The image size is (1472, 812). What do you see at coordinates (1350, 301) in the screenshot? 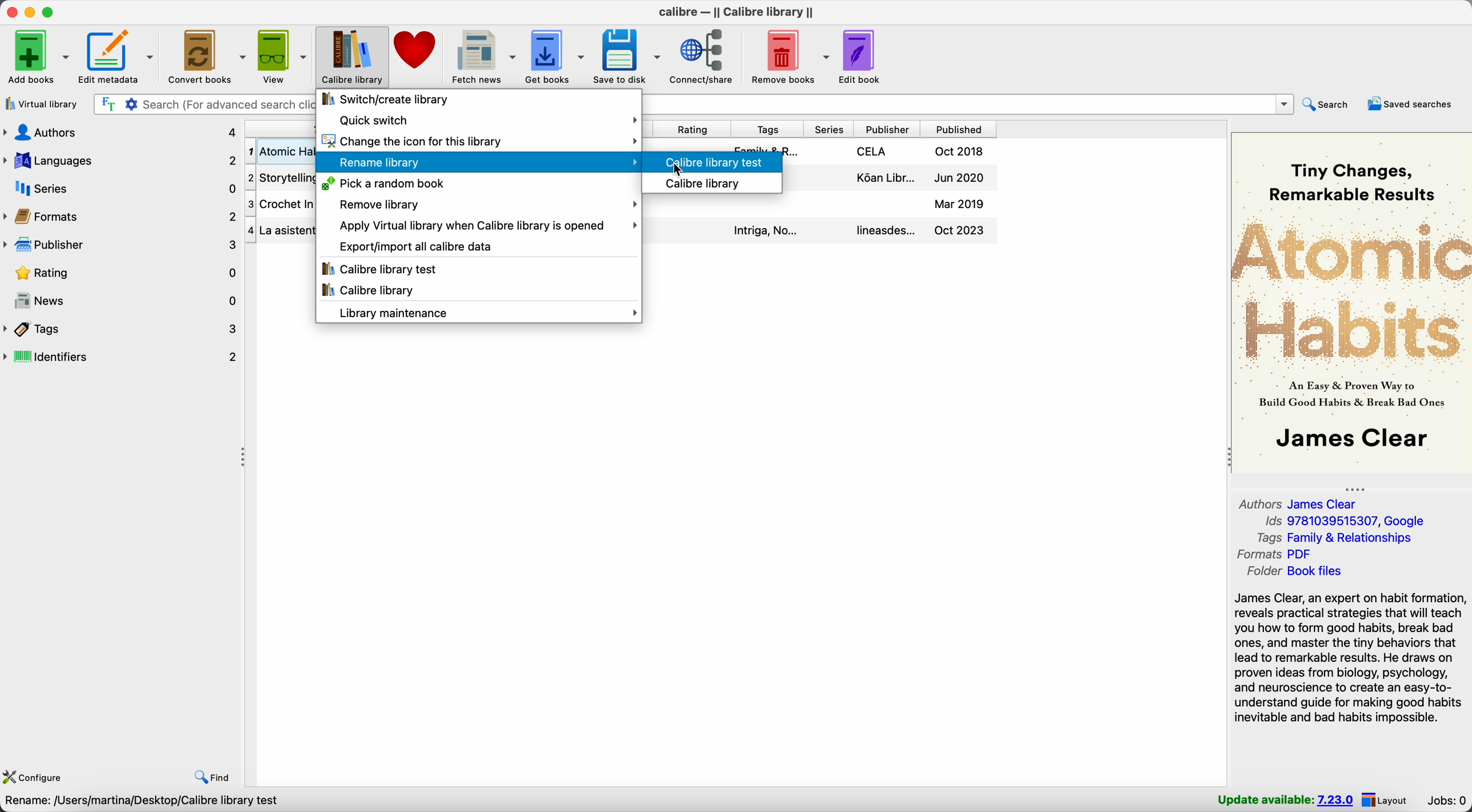
I see `book cover preview` at bounding box center [1350, 301].